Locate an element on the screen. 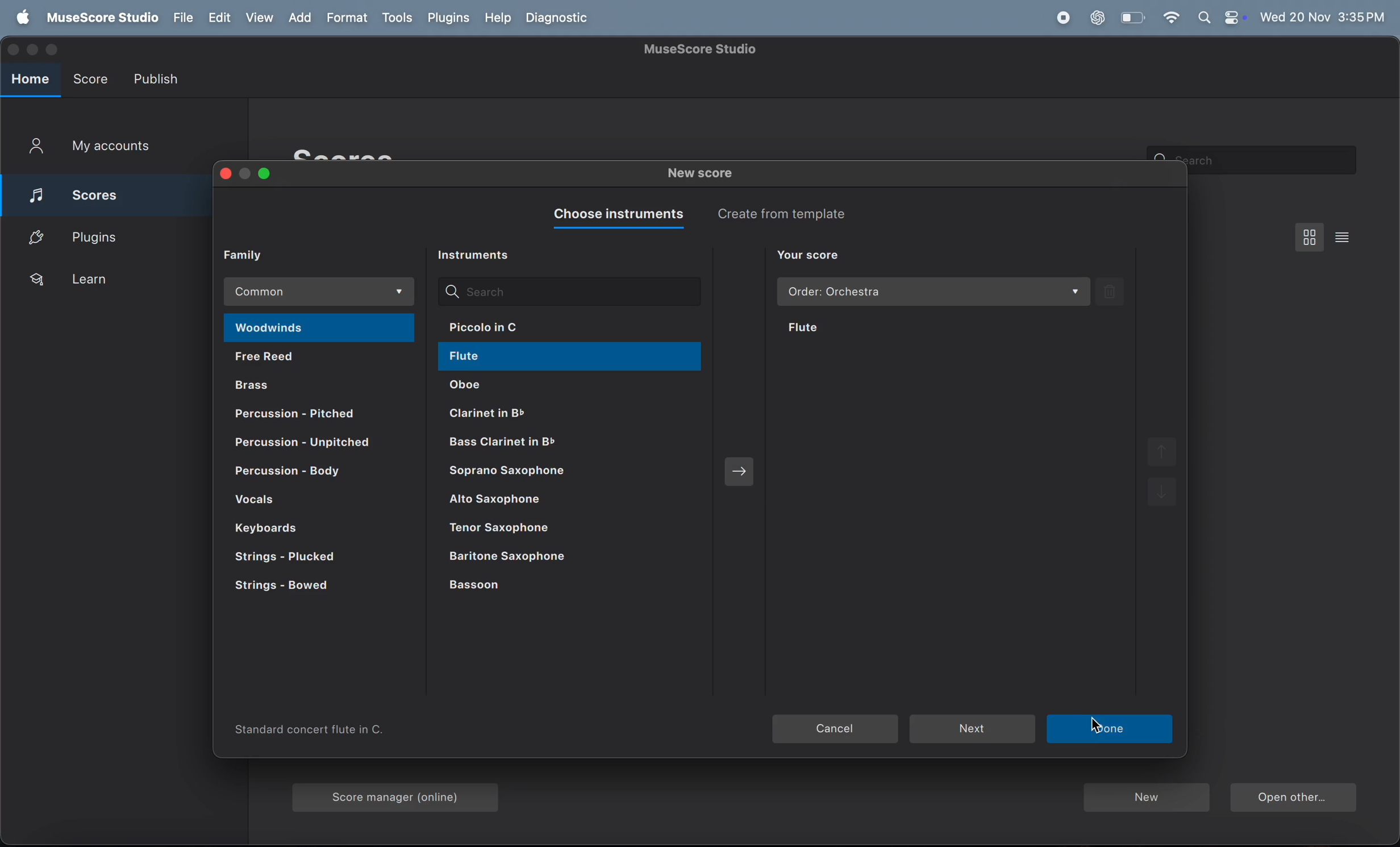  choose instrument is located at coordinates (615, 215).